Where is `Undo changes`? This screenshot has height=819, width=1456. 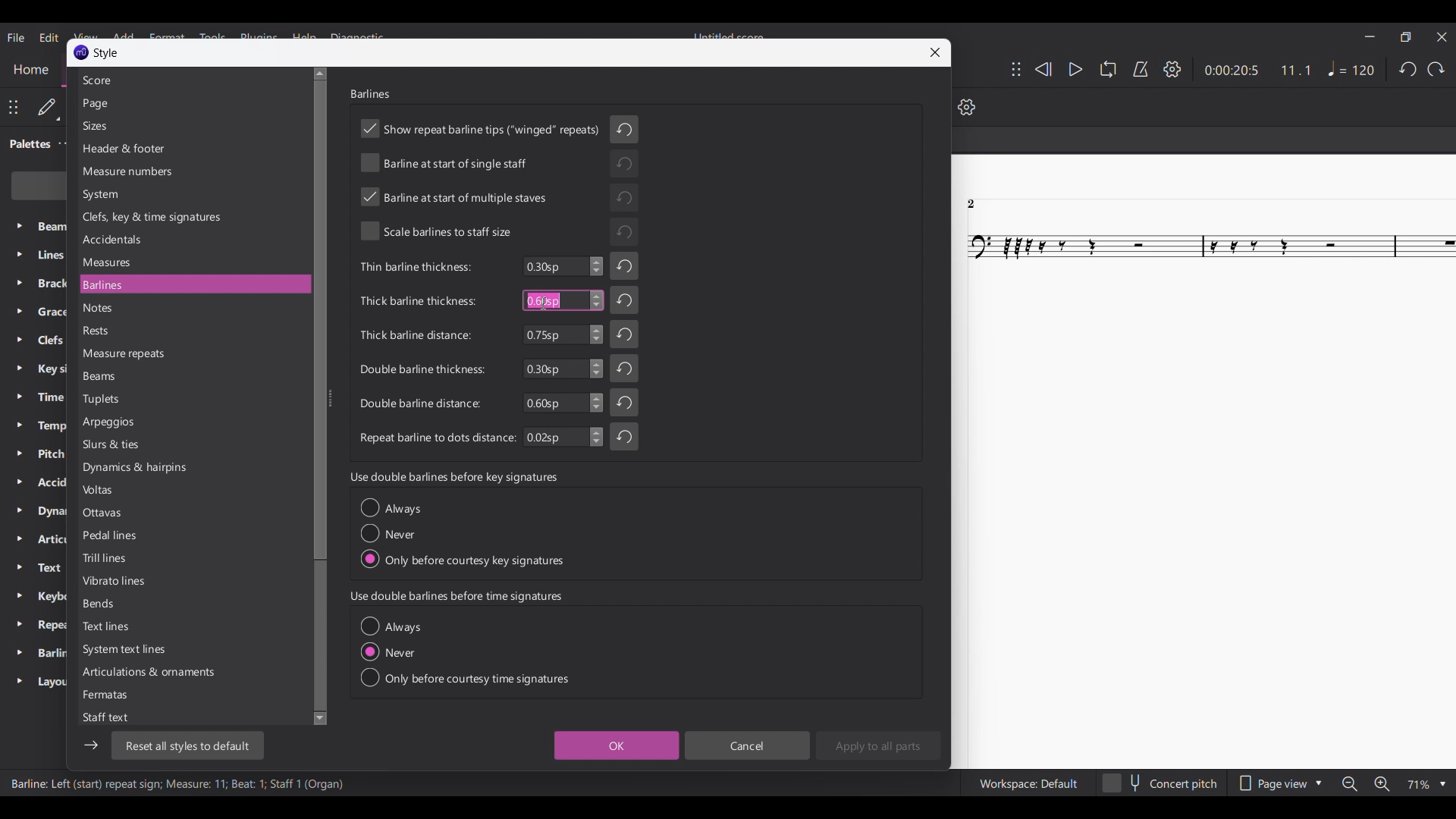
Undo changes is located at coordinates (624, 282).